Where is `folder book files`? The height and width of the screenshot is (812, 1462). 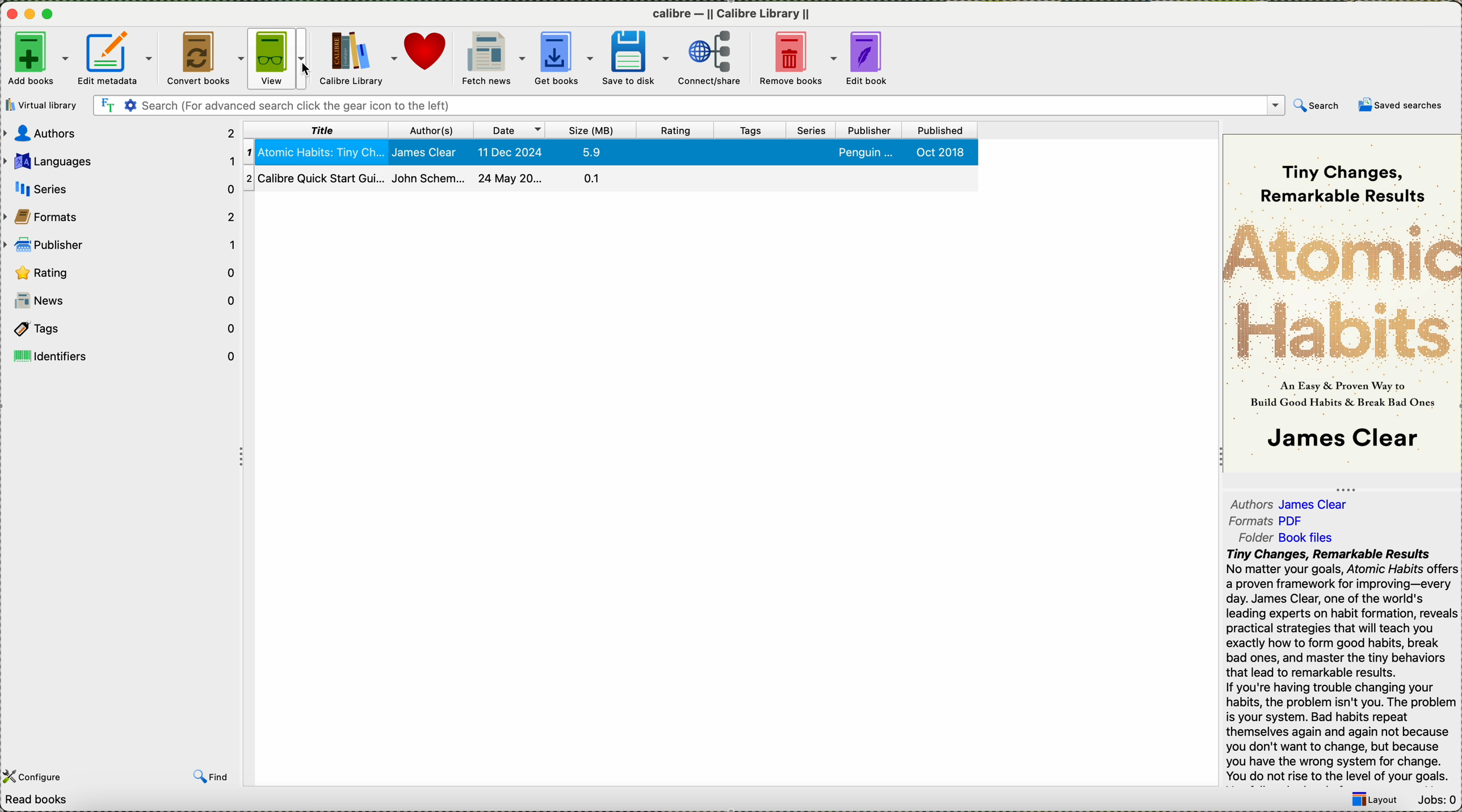
folder book files is located at coordinates (1282, 537).